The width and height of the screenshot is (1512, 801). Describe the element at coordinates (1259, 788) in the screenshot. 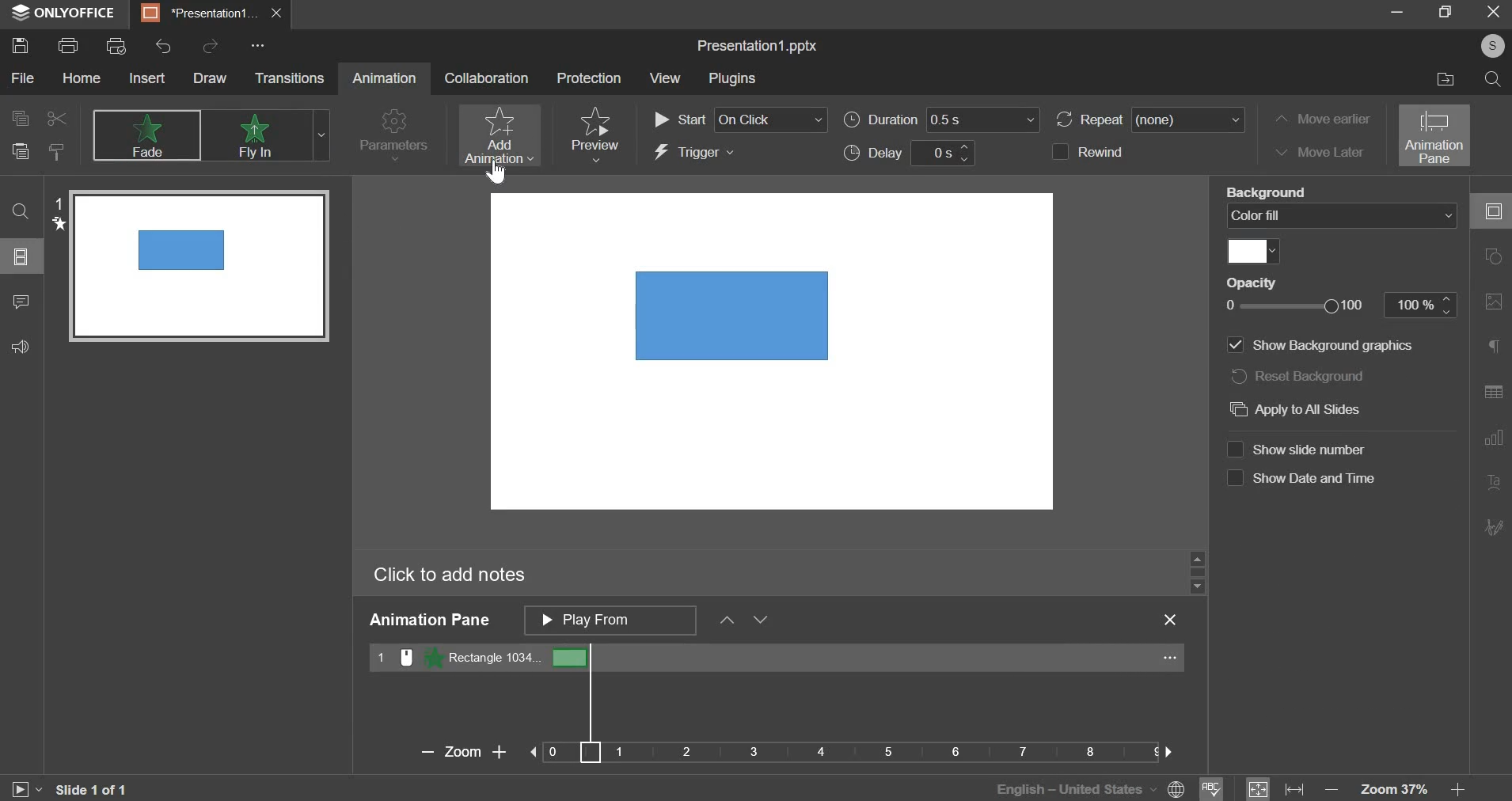

I see `fit to size` at that location.